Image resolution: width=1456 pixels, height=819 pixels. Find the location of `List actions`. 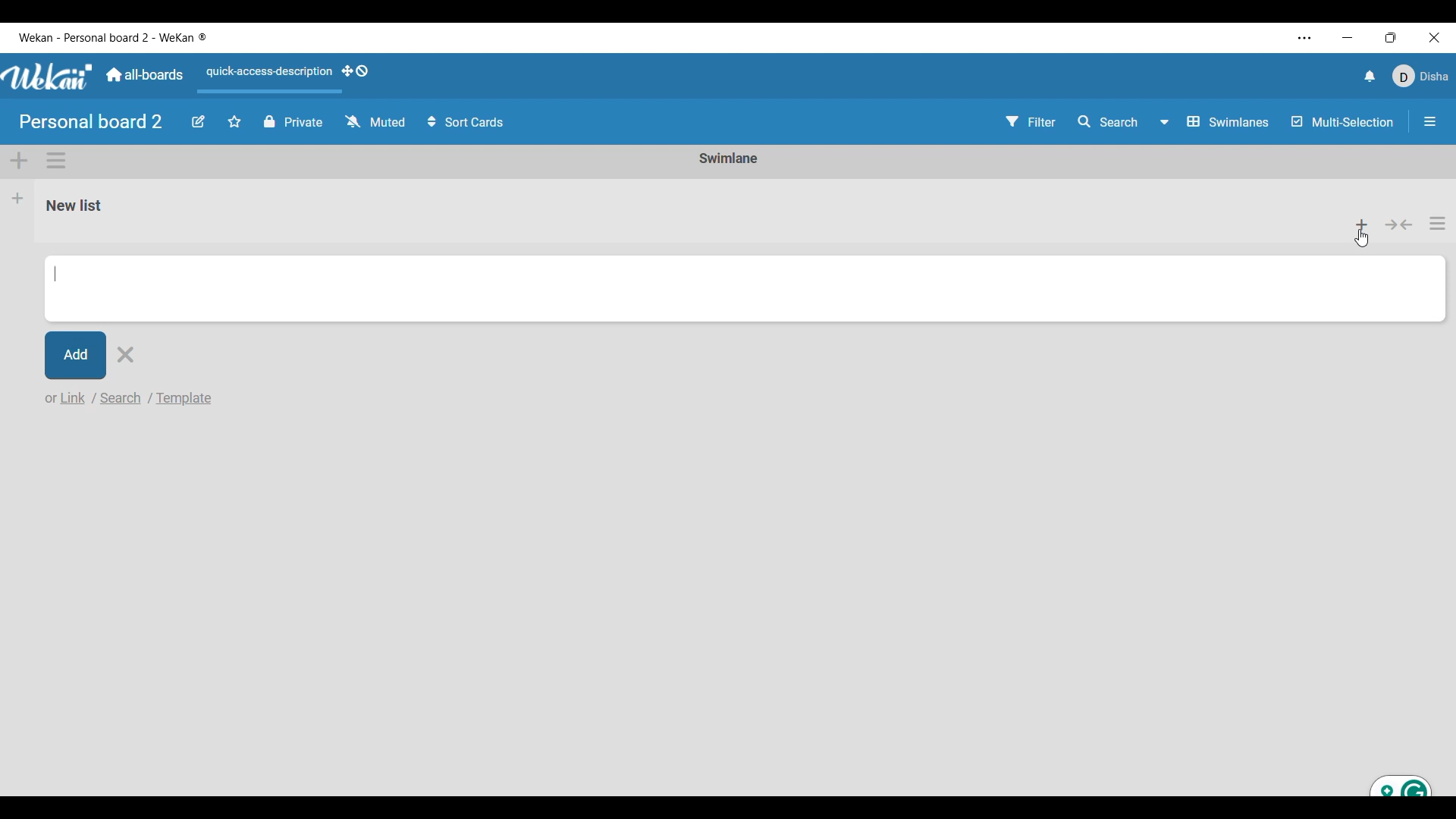

List actions is located at coordinates (1438, 223).